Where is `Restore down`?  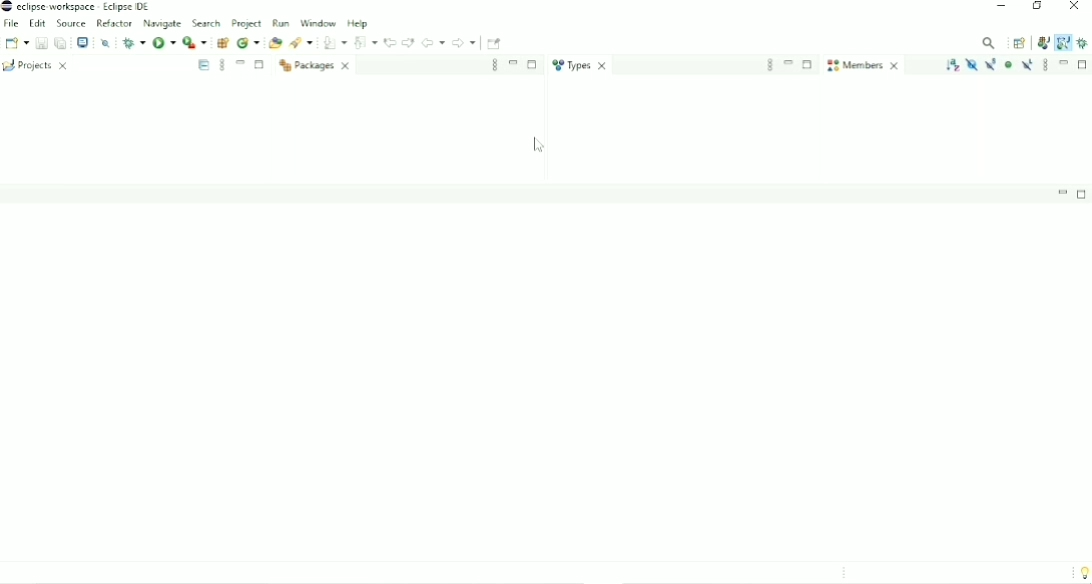 Restore down is located at coordinates (1036, 8).